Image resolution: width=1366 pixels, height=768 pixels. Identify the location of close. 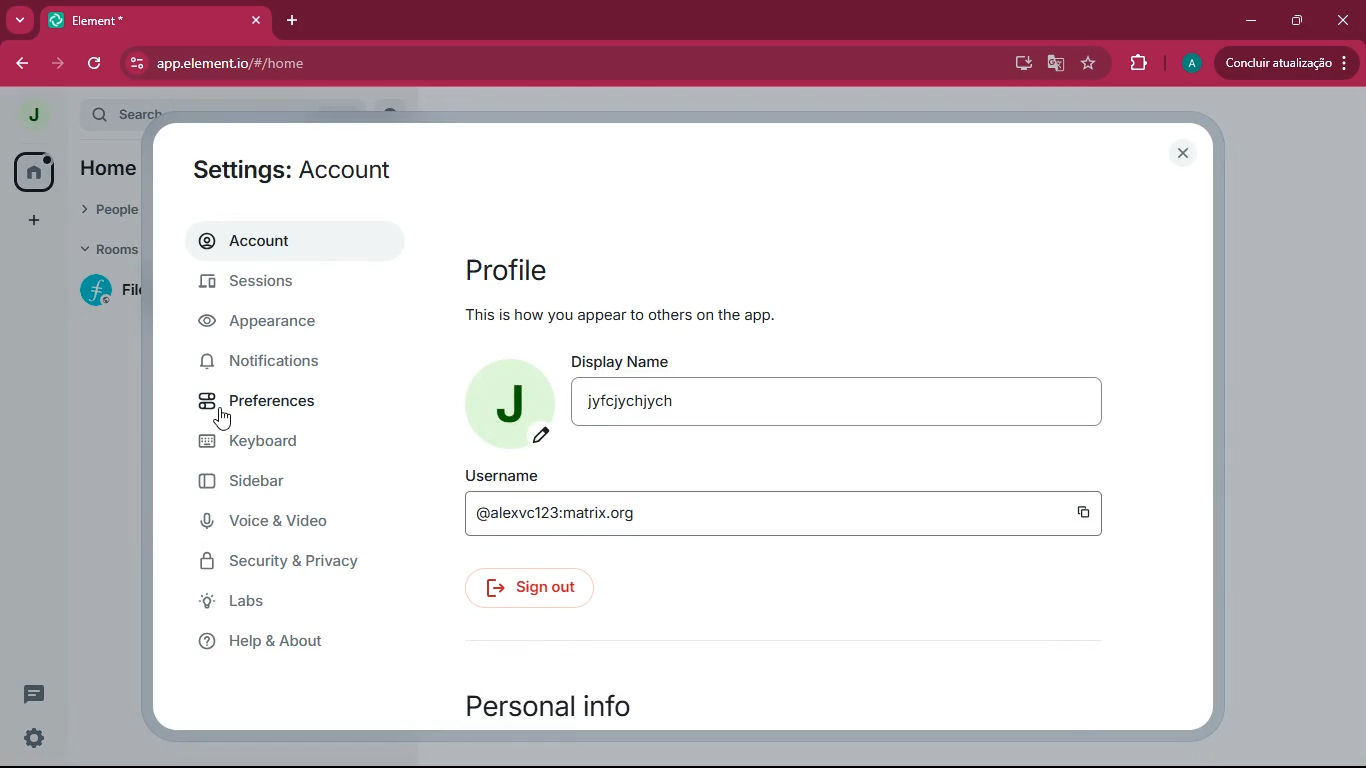
(251, 20).